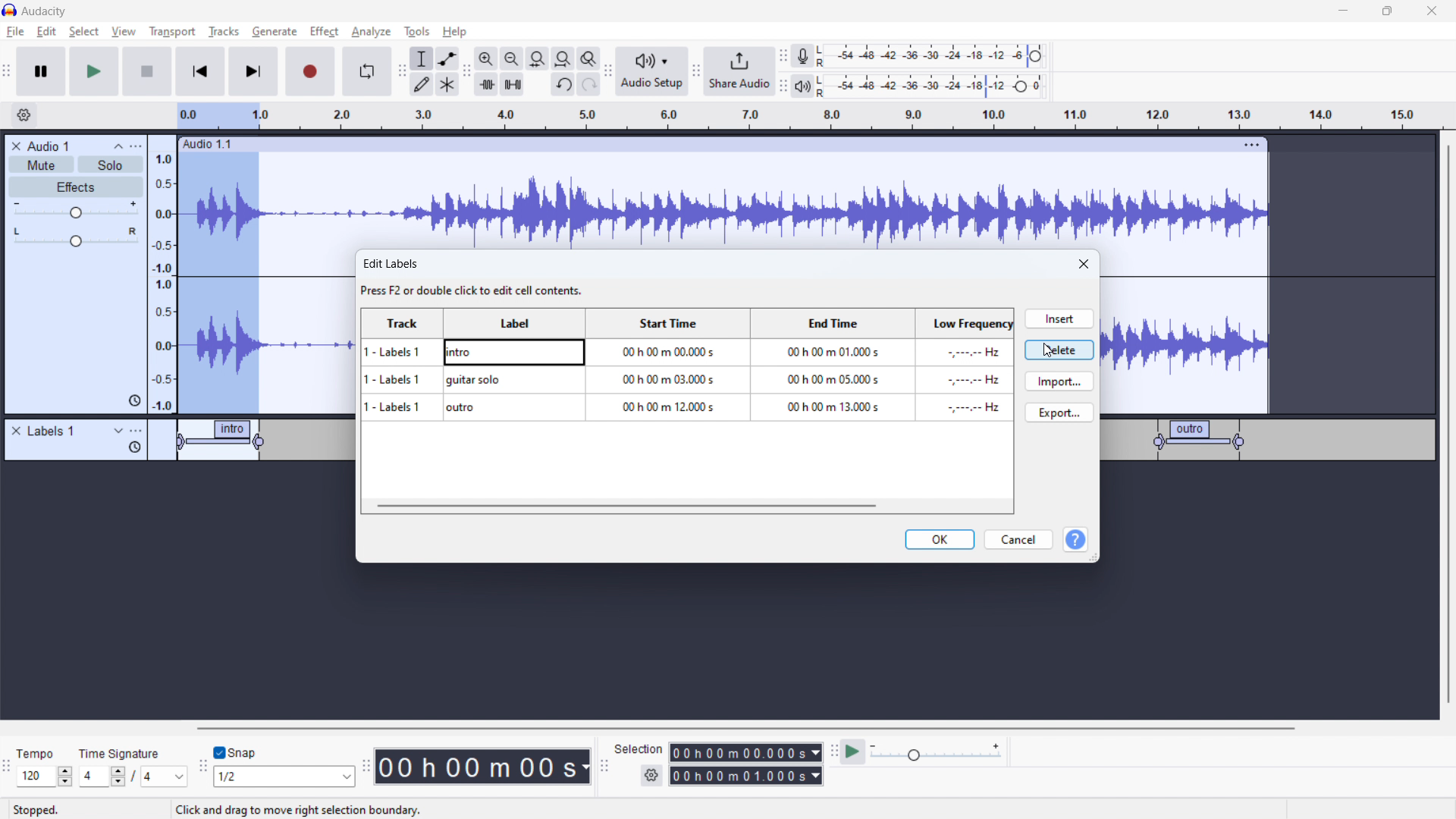 This screenshot has height=819, width=1456. What do you see at coordinates (275, 31) in the screenshot?
I see `generate` at bounding box center [275, 31].